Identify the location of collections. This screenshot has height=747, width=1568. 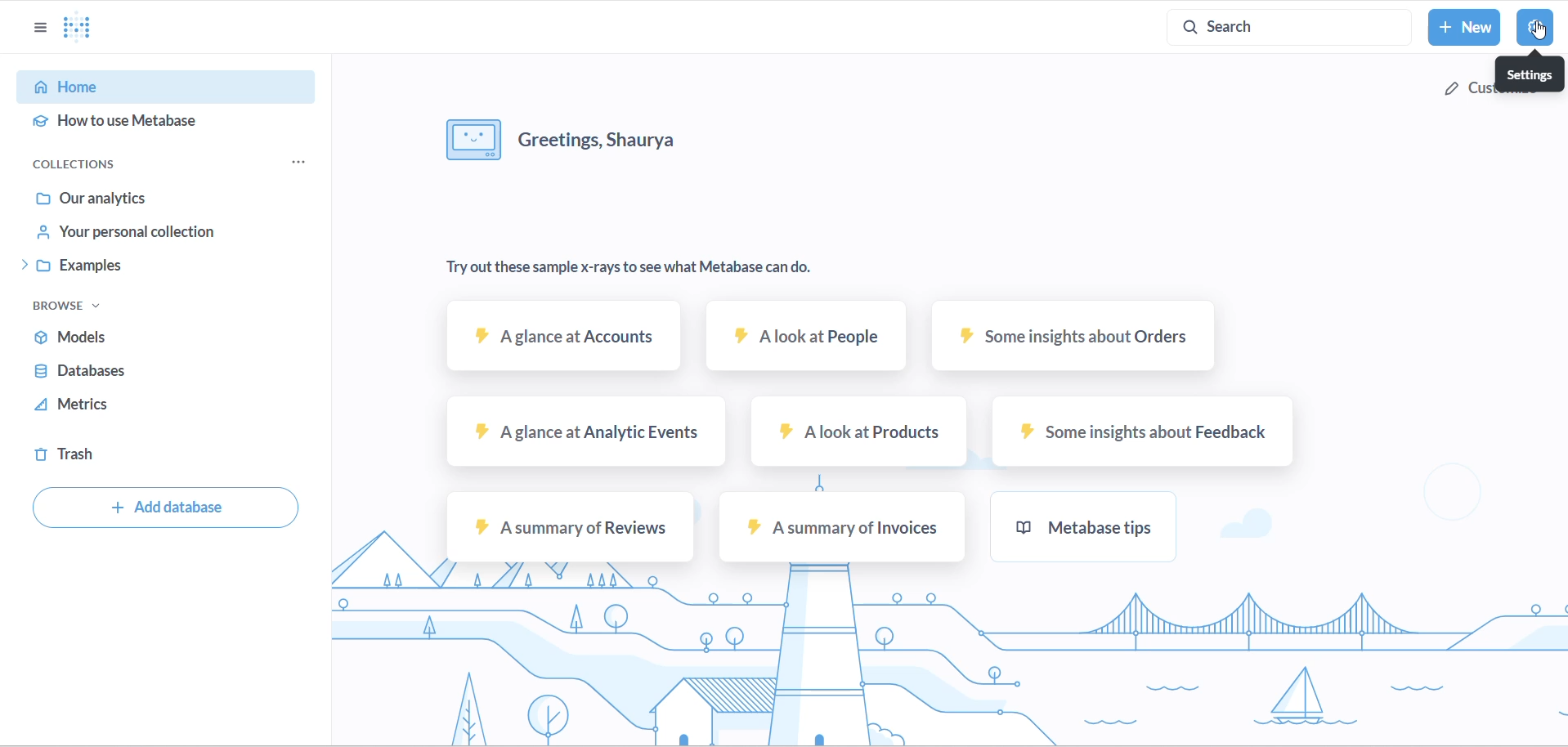
(91, 159).